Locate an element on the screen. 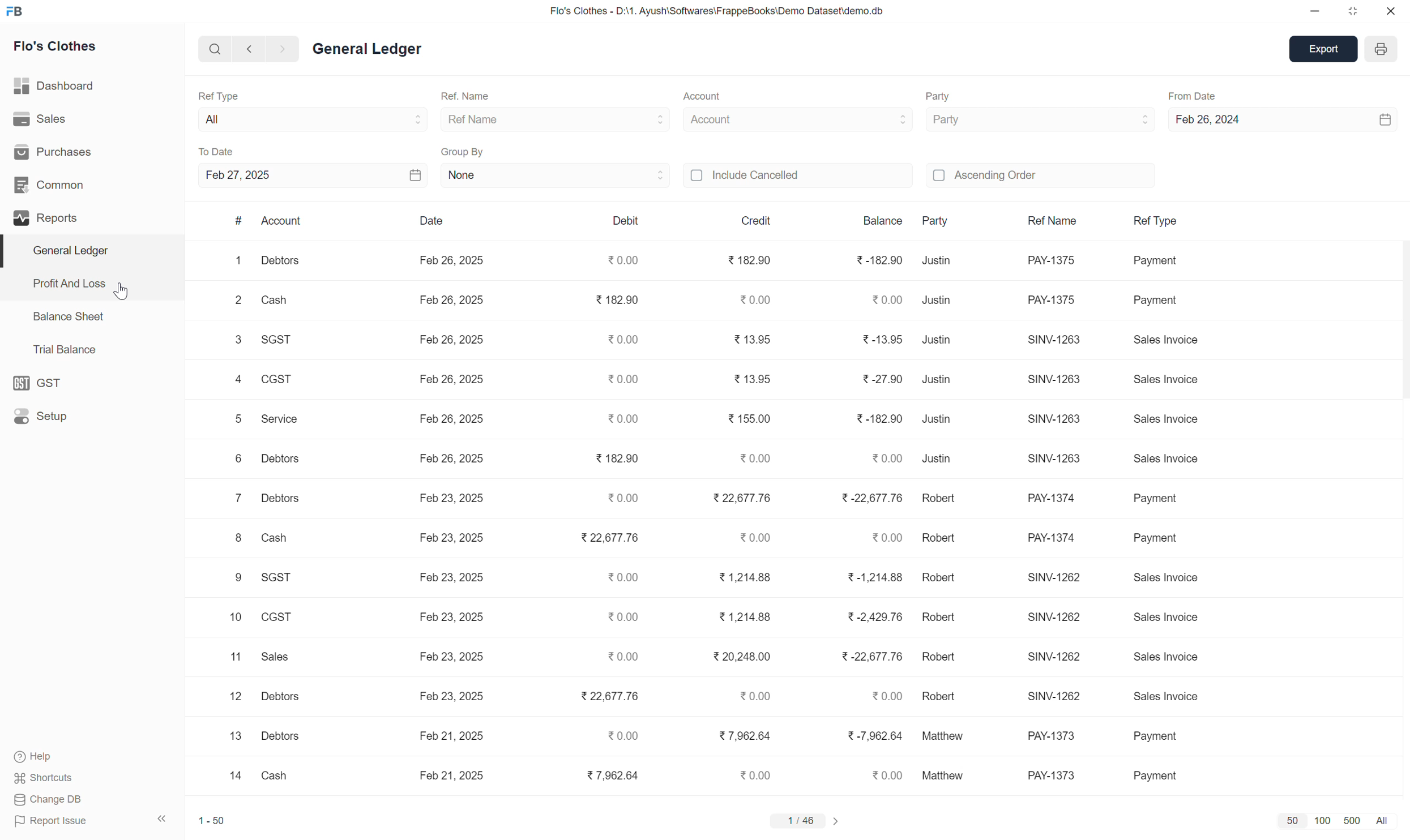 The width and height of the screenshot is (1410, 840). Ref Type is located at coordinates (233, 98).